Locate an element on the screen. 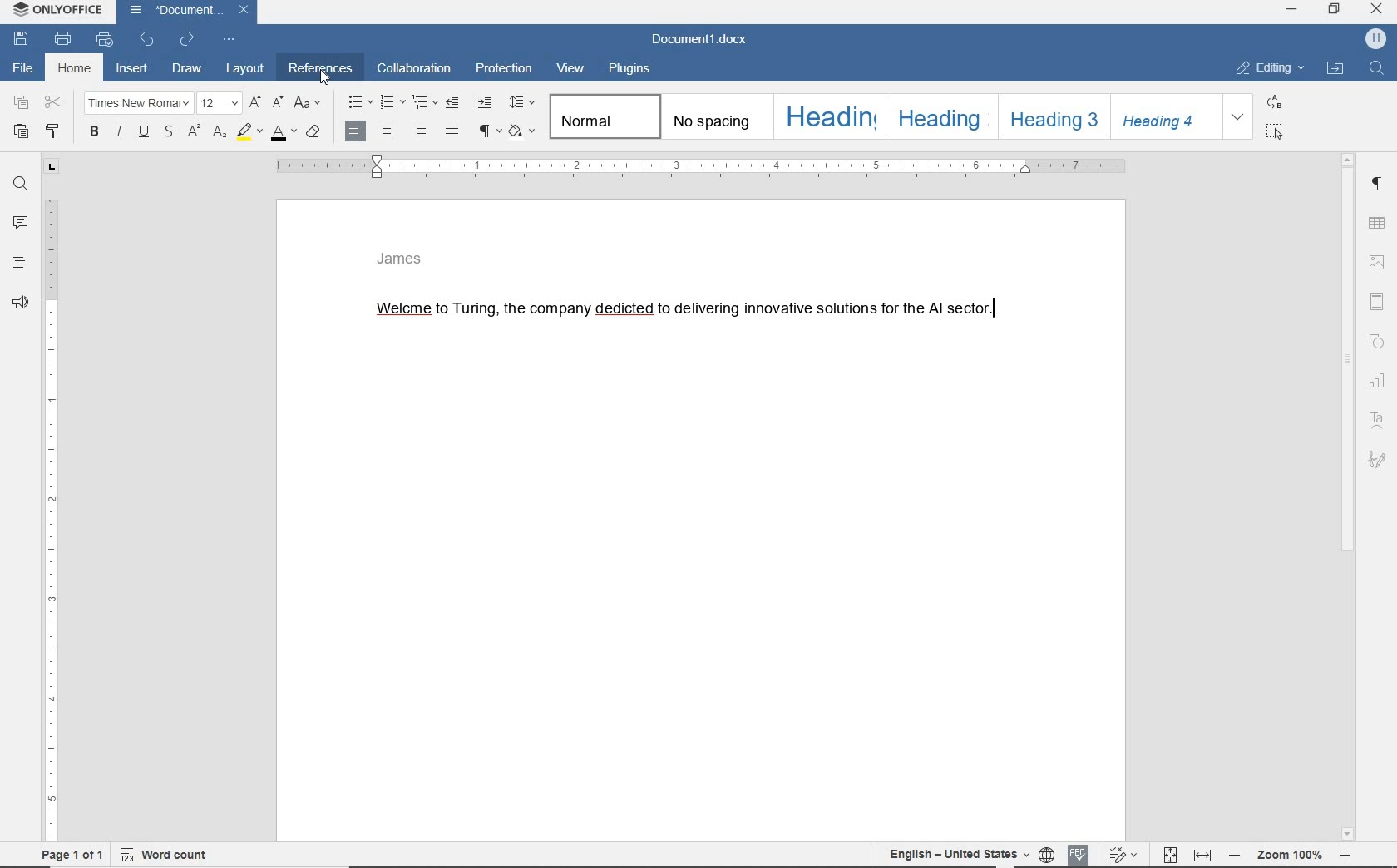  MINIMIZE is located at coordinates (1291, 10).